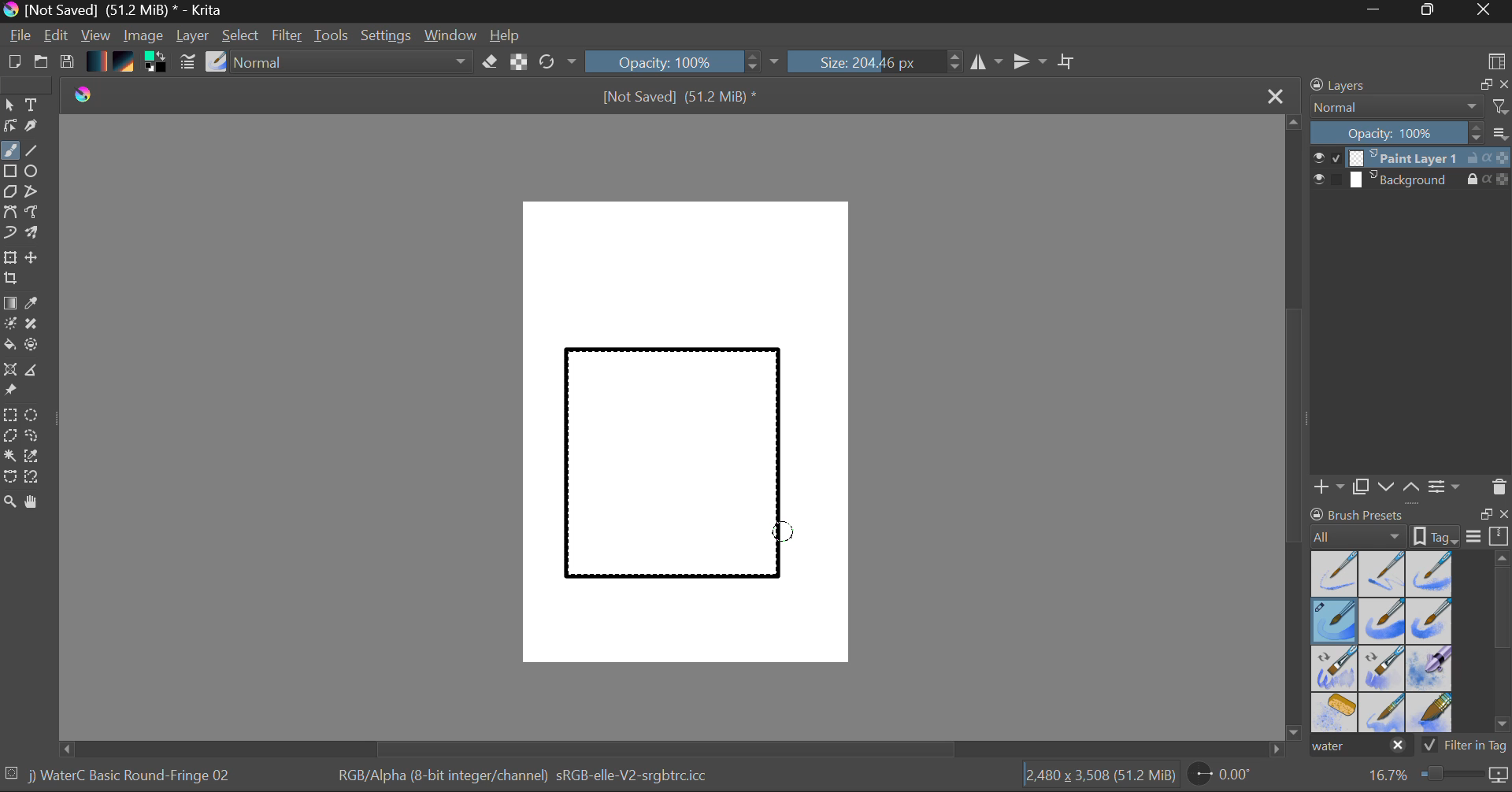  Describe the element at coordinates (1430, 670) in the screenshot. I see `Water C - Special Blobs` at that location.